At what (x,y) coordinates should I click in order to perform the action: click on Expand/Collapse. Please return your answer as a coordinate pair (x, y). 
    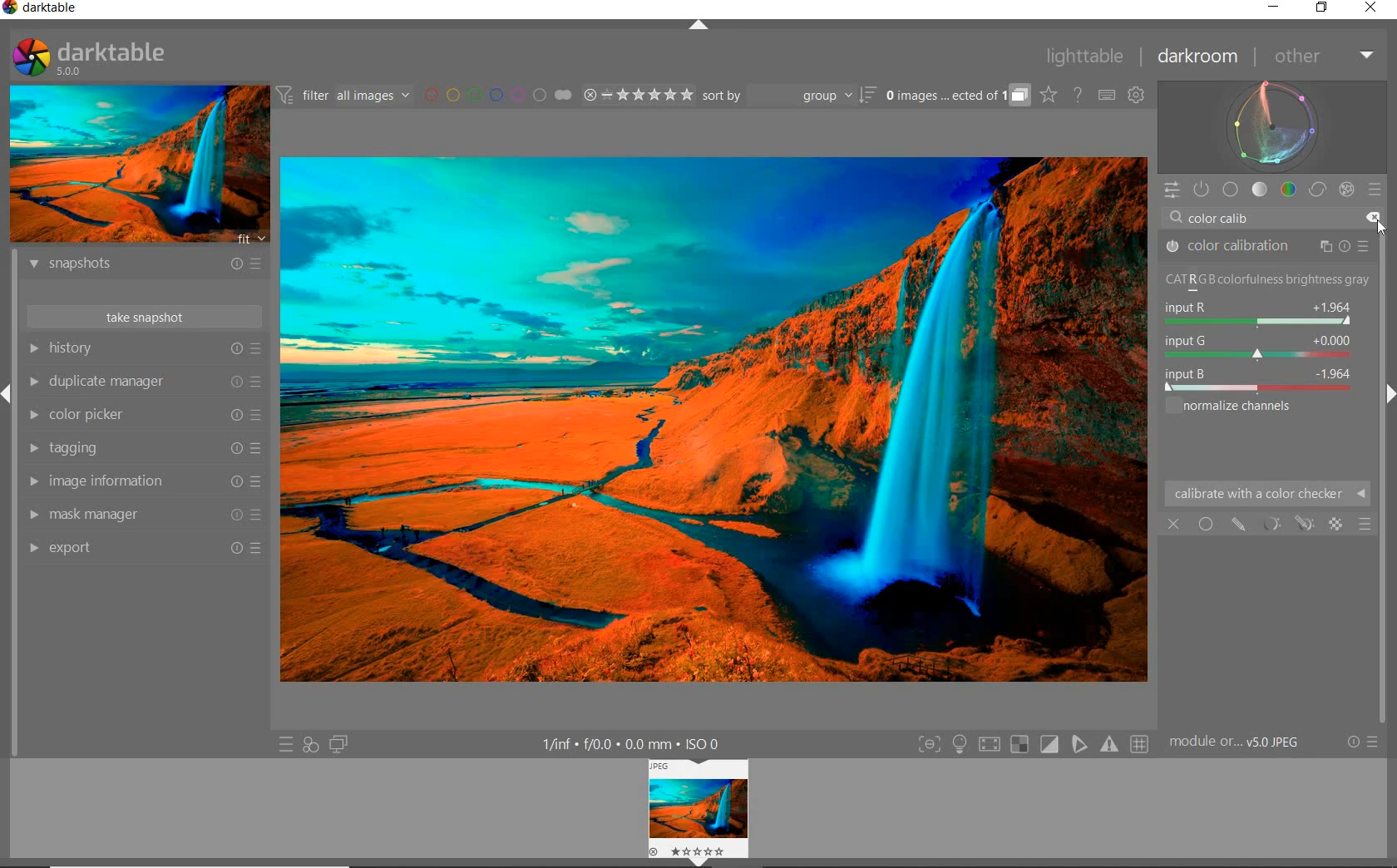
    Looking at the image, I should click on (703, 862).